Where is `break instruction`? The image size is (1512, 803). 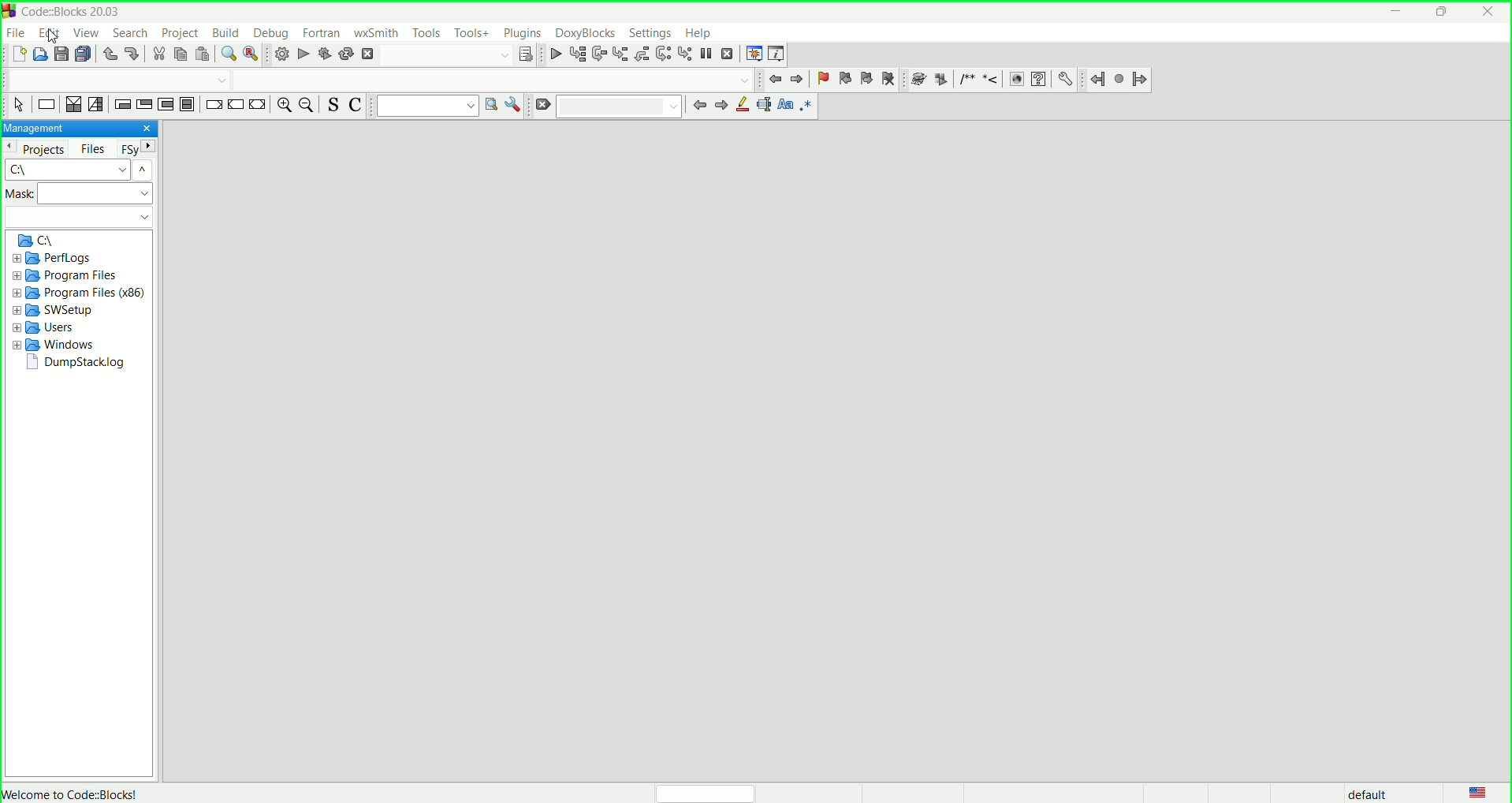 break instruction is located at coordinates (214, 106).